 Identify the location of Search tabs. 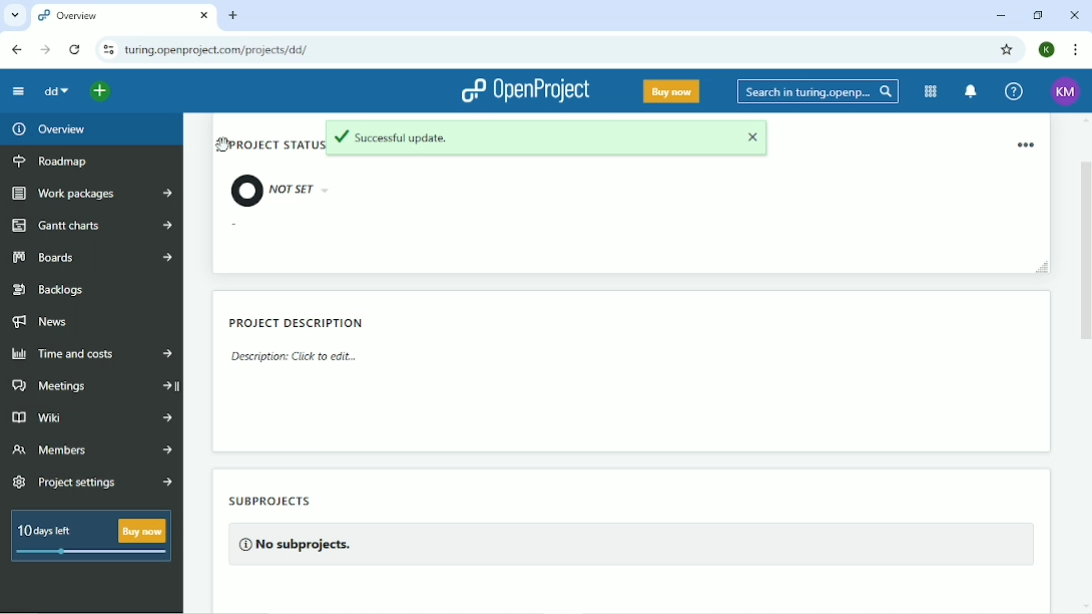
(14, 14).